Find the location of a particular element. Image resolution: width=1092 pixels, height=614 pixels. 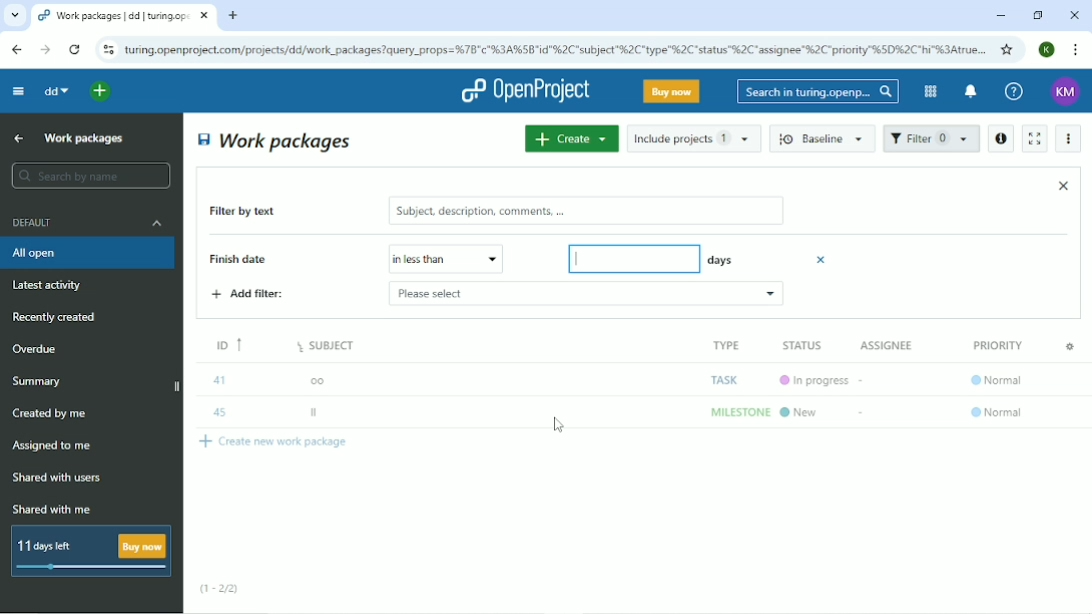

ASSIGNEE is located at coordinates (889, 345).